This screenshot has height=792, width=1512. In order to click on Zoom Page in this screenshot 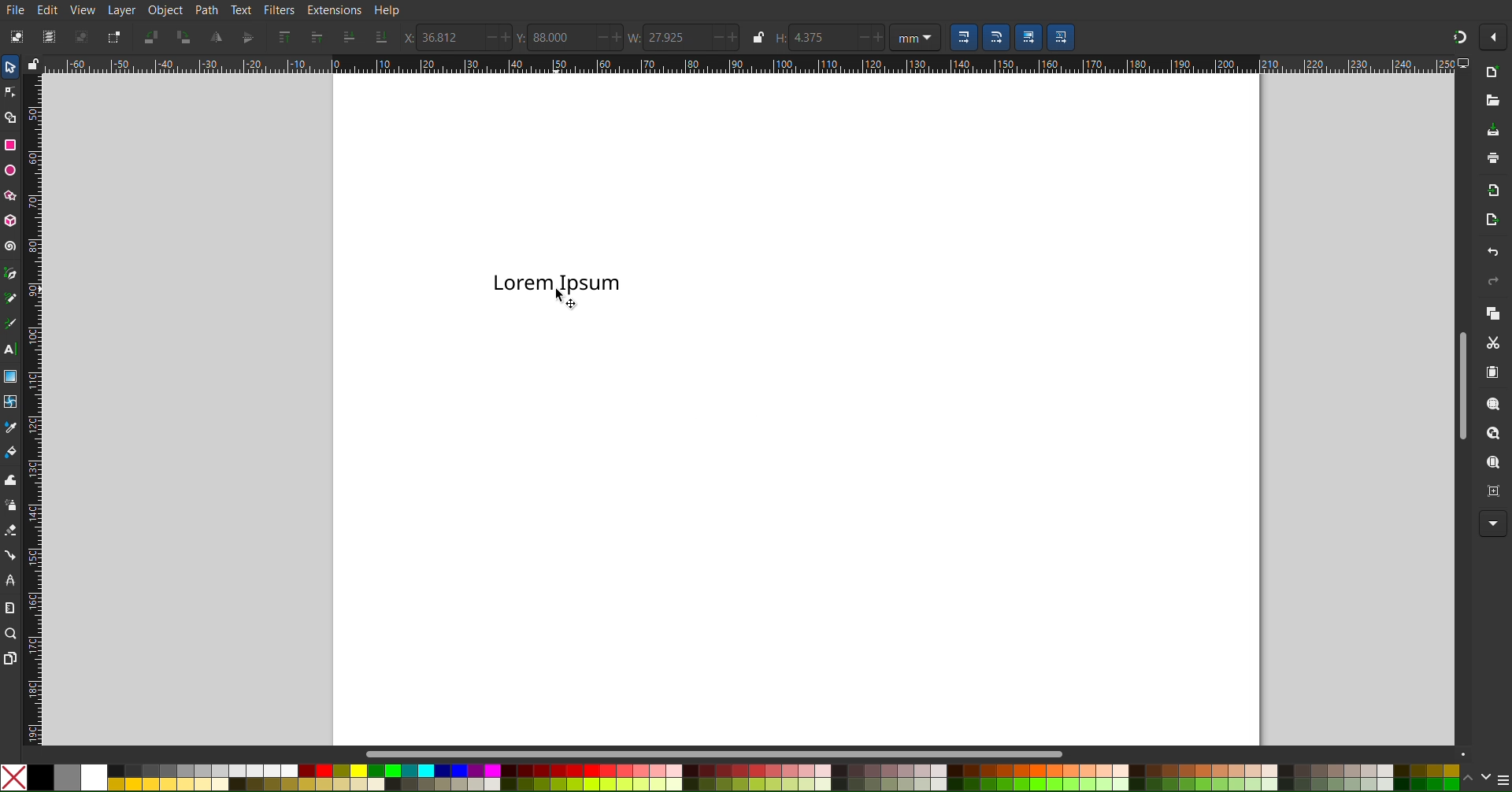, I will do `click(1492, 462)`.